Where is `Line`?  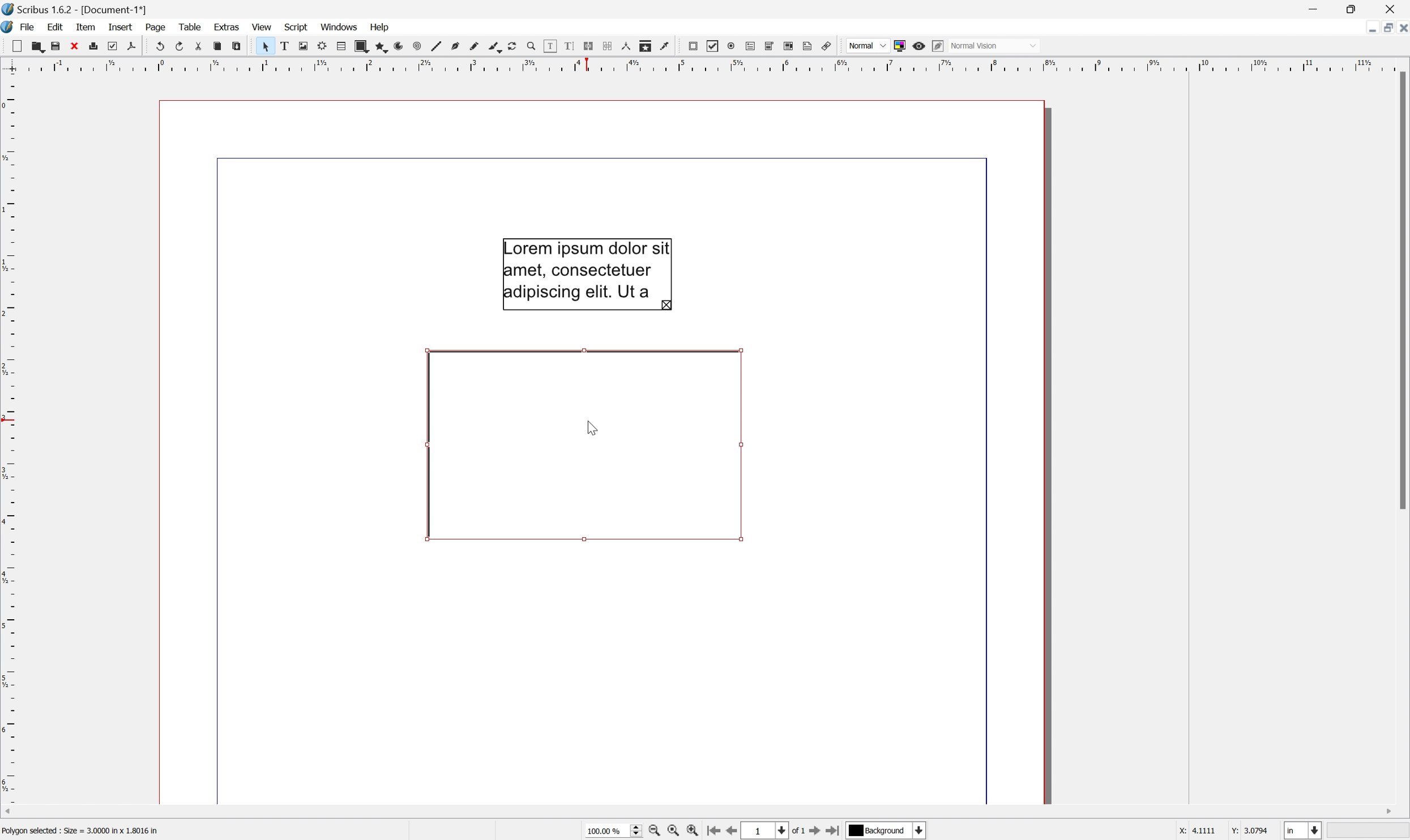
Line is located at coordinates (434, 46).